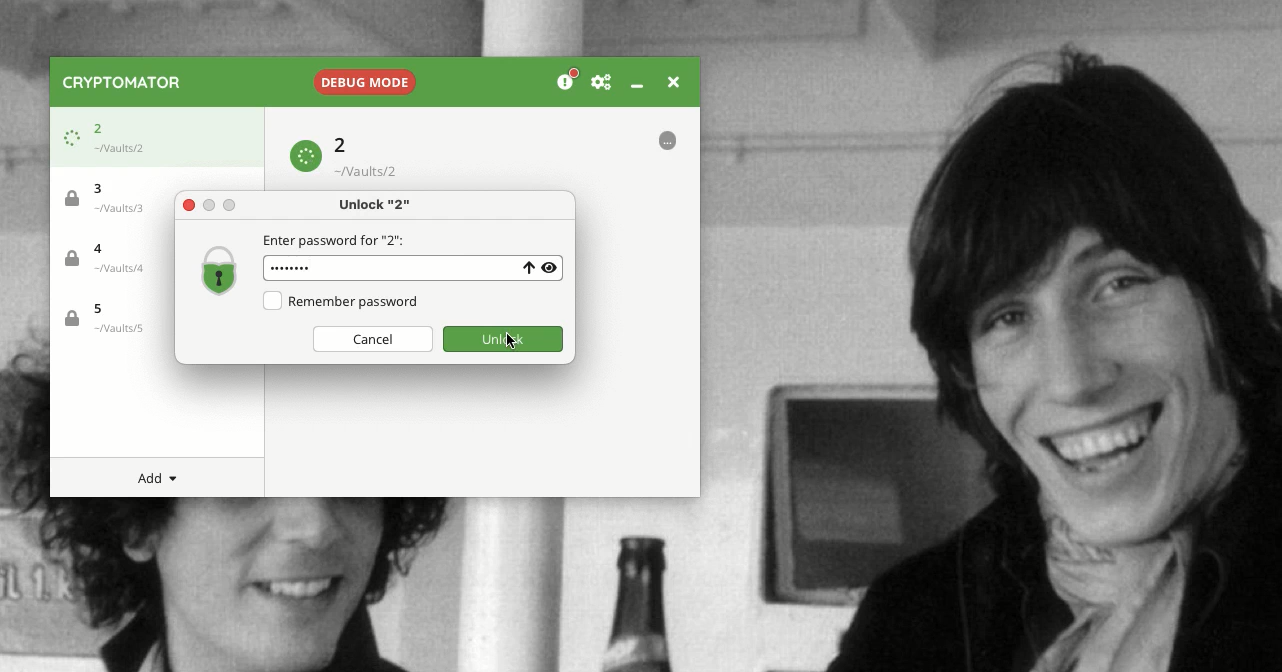 This screenshot has width=1282, height=672. I want to click on More options, so click(670, 139).